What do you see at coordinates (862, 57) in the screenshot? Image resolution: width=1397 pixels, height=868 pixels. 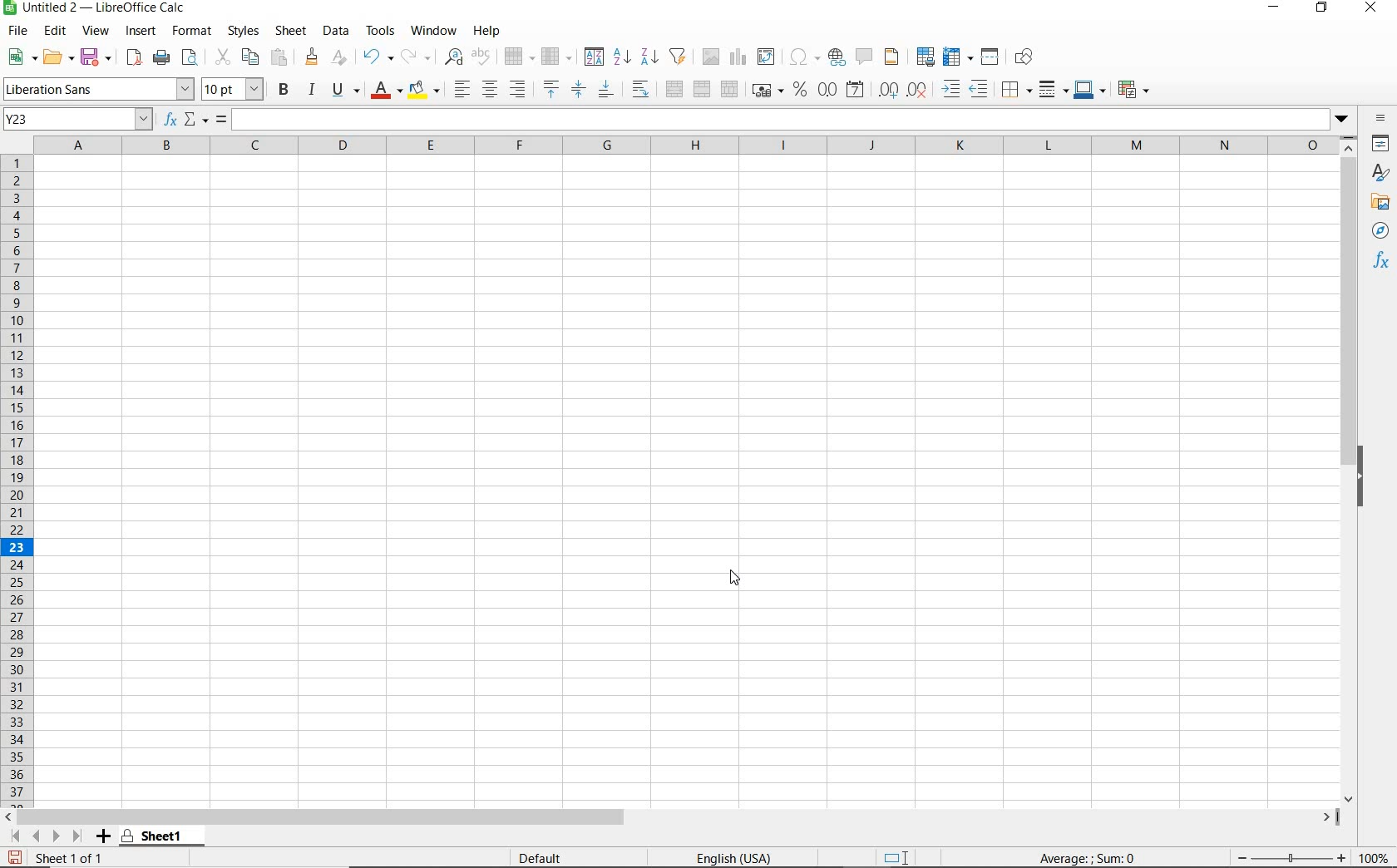 I see `INSERT COMMENT` at bounding box center [862, 57].